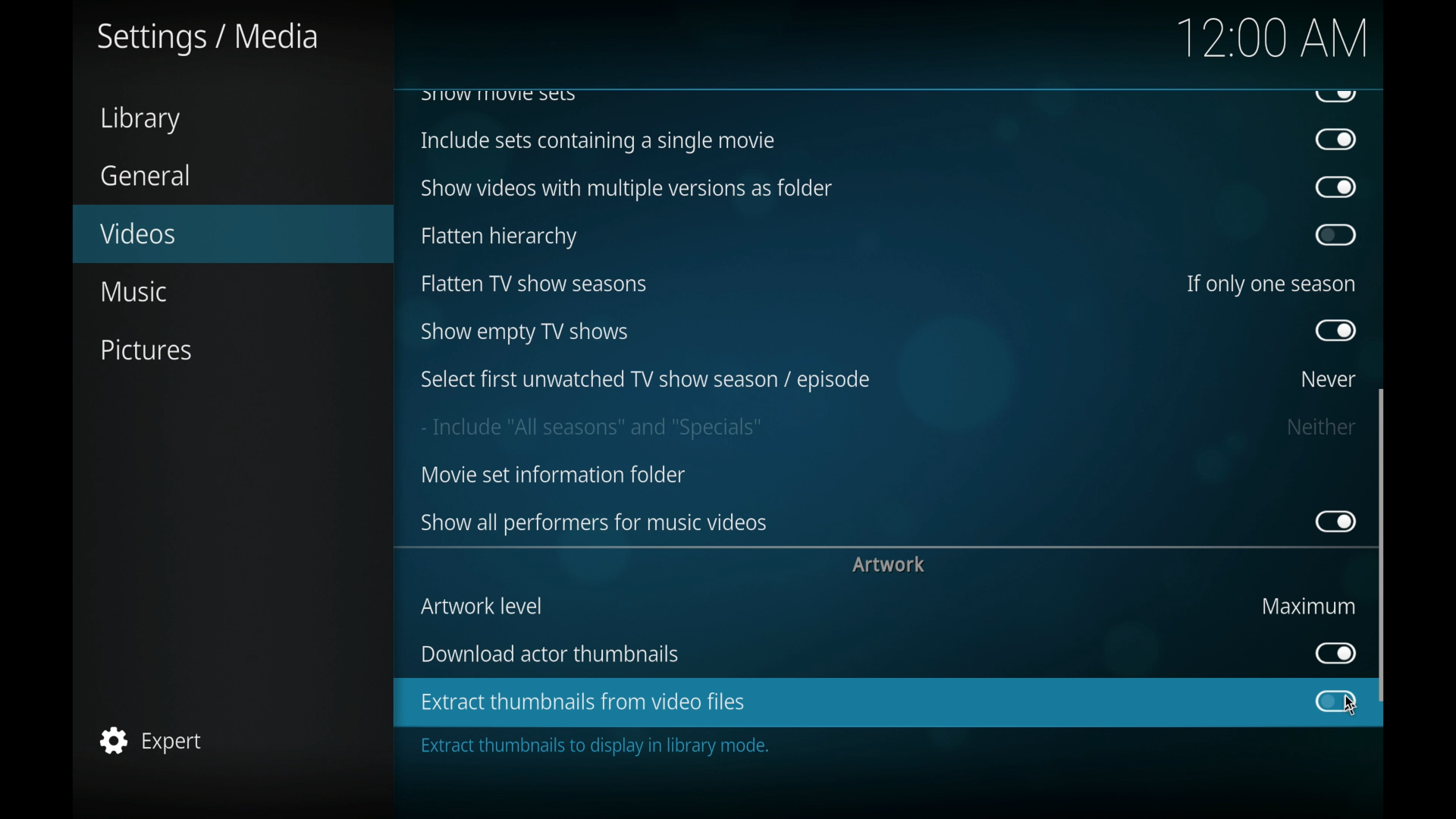  I want to click on scroll box, so click(1382, 547).